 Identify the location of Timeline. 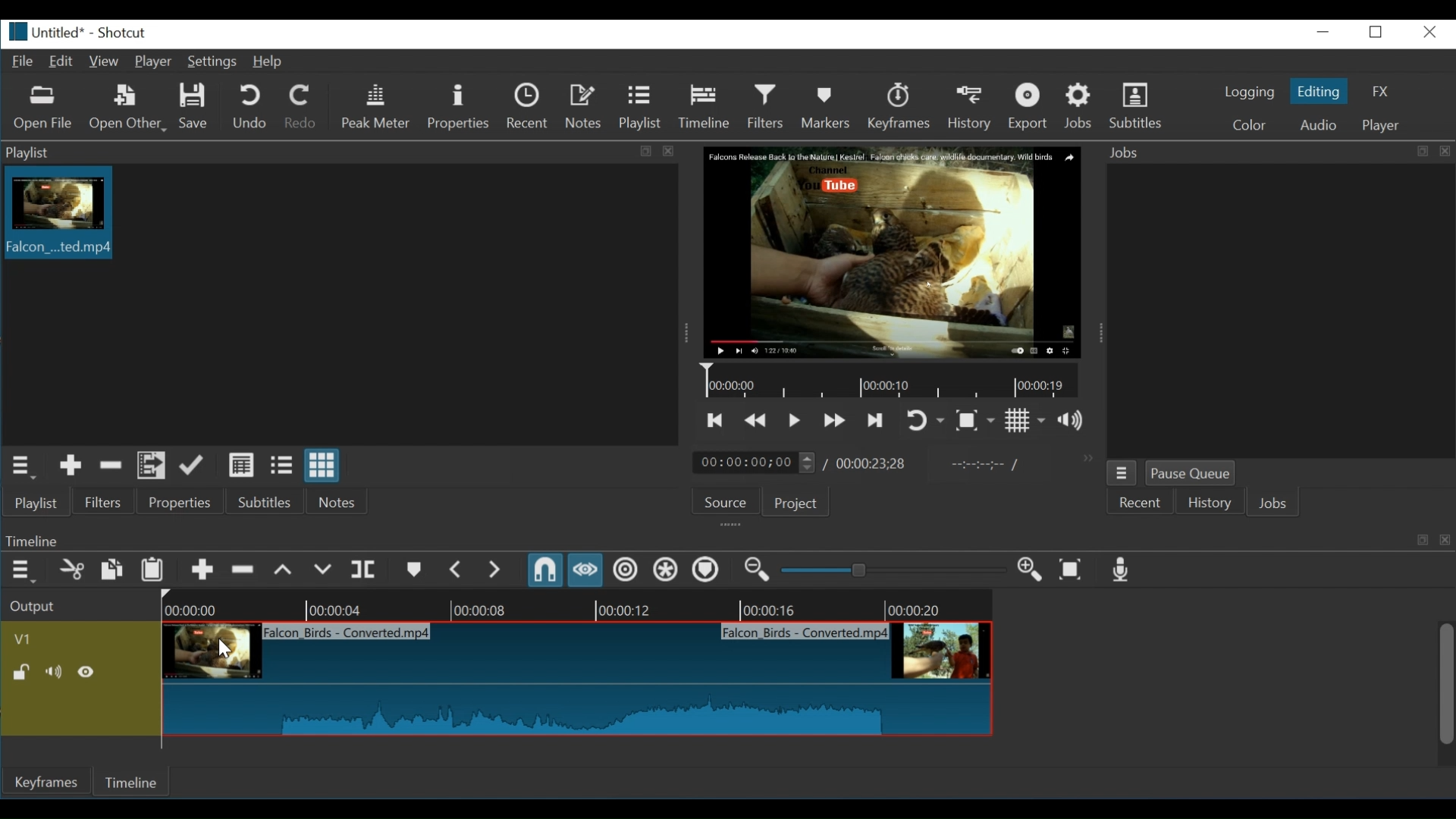
(137, 780).